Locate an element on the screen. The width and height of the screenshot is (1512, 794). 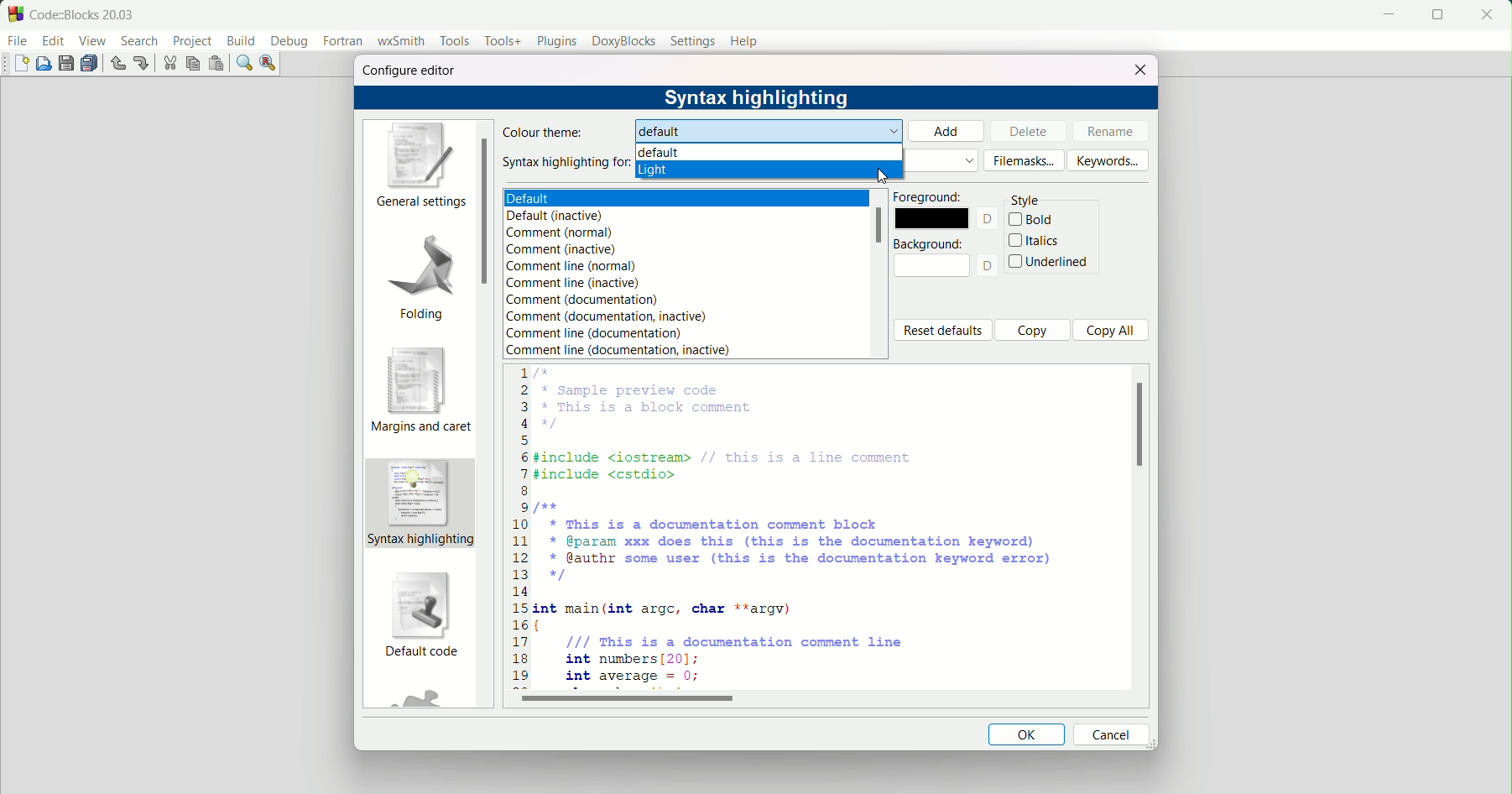
edit is located at coordinates (54, 41).